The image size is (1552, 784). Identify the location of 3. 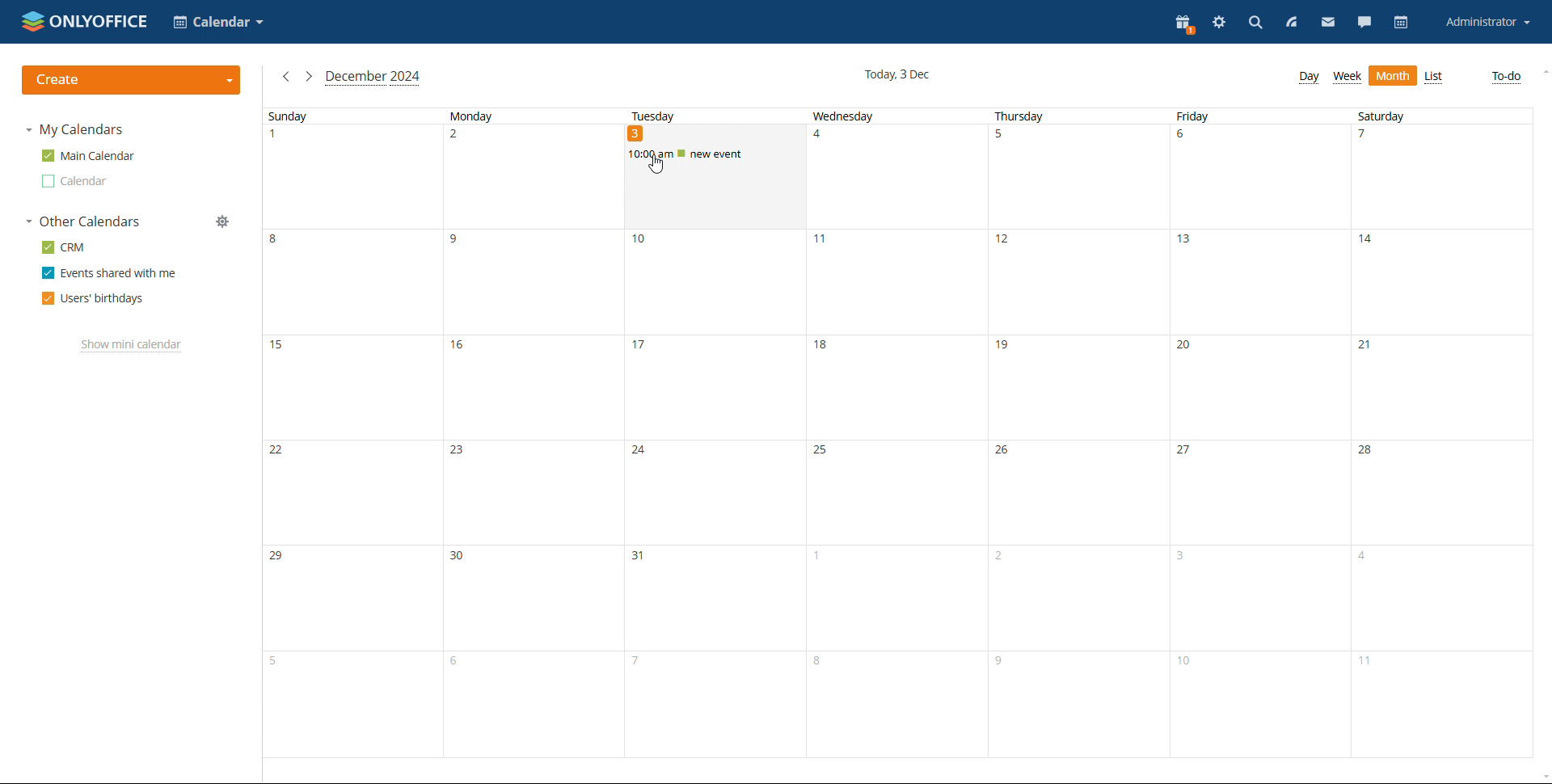
(713, 206).